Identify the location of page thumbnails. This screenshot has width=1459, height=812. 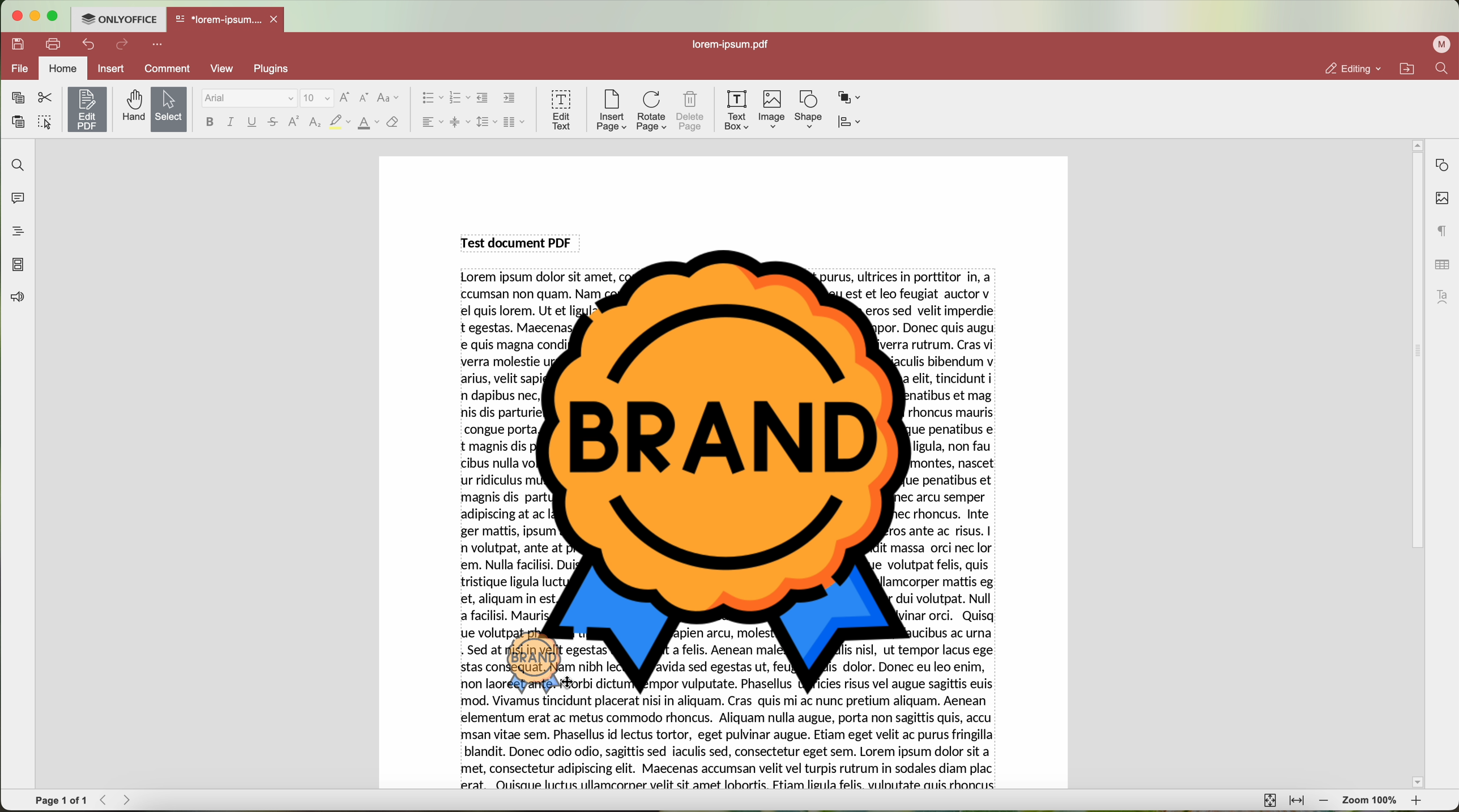
(17, 264).